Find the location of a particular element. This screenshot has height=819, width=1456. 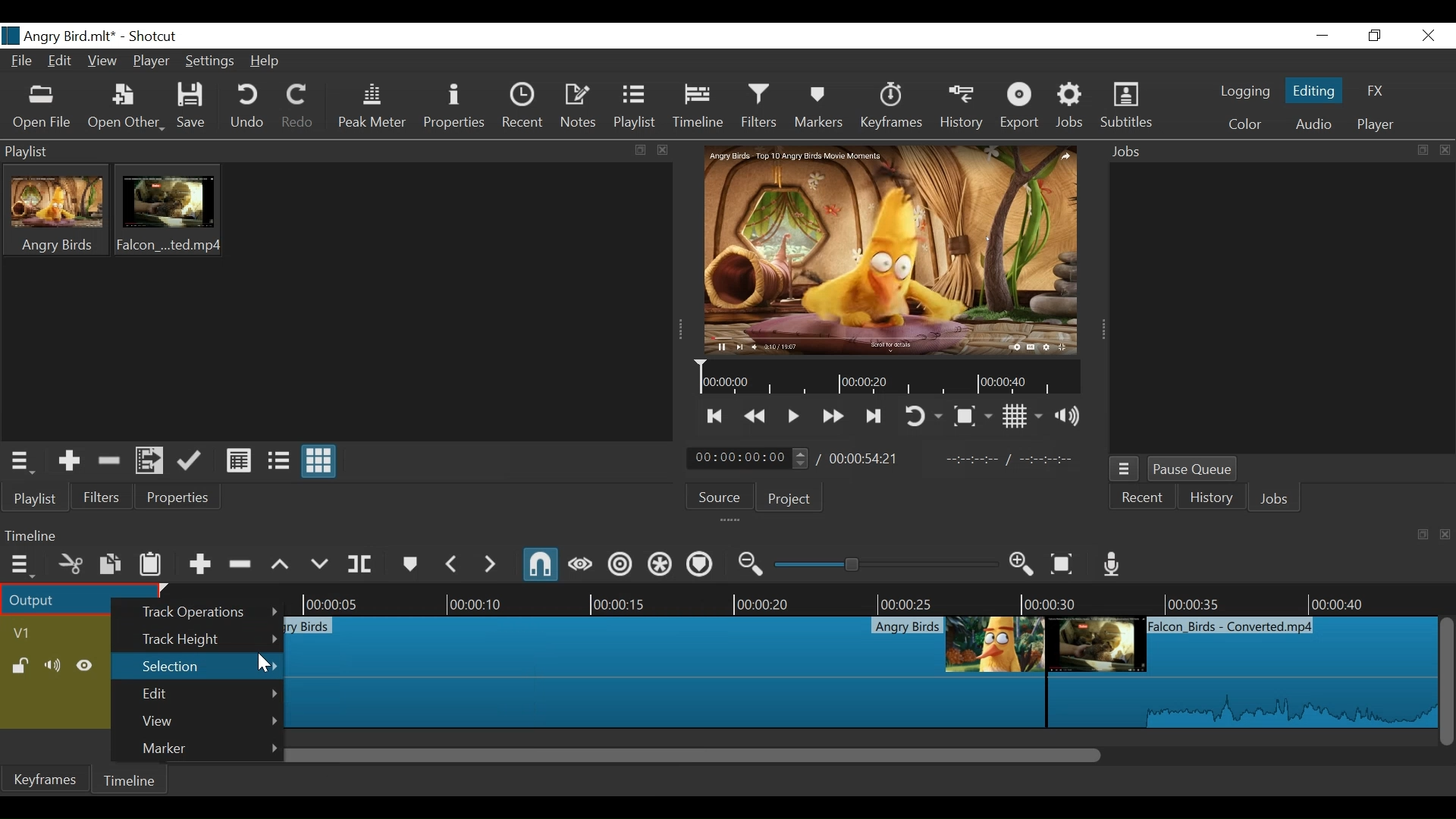

Keyframe is located at coordinates (49, 778).